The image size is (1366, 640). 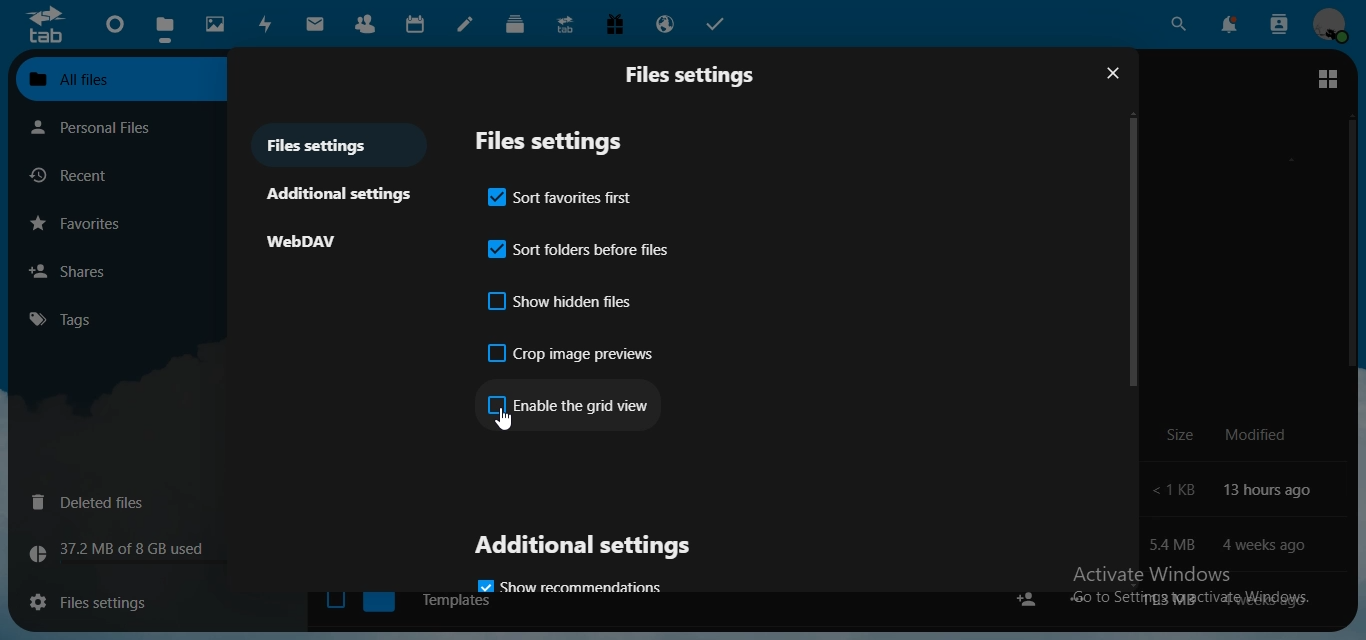 What do you see at coordinates (698, 74) in the screenshot?
I see `files settings` at bounding box center [698, 74].